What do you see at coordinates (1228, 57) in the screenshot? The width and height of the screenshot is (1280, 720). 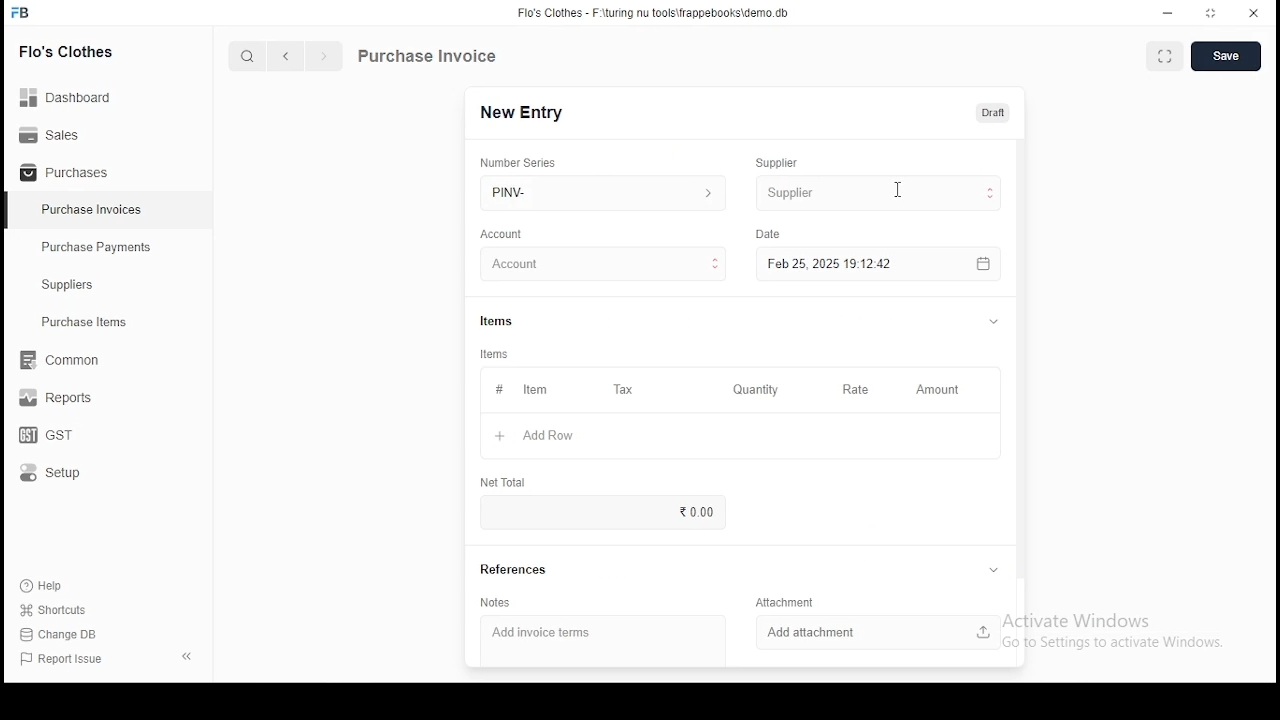 I see `create` at bounding box center [1228, 57].